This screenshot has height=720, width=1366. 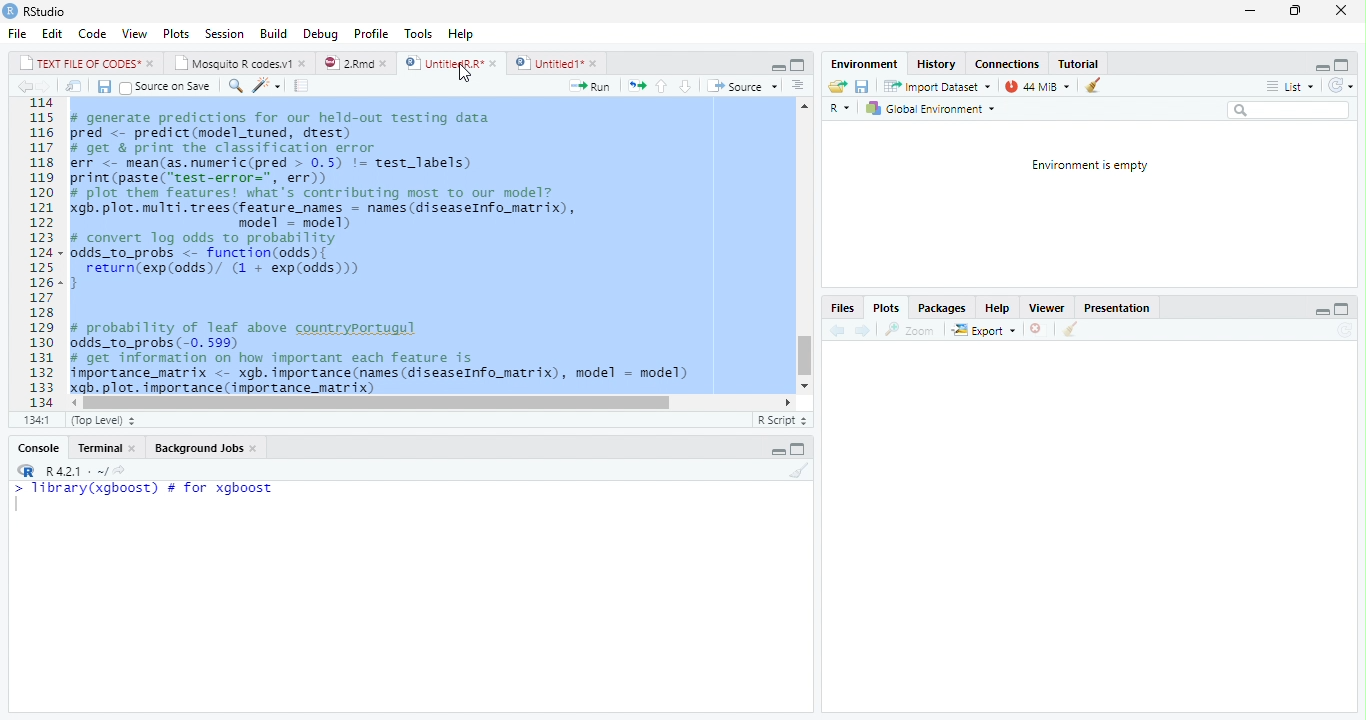 I want to click on Background Jobs, so click(x=206, y=447).